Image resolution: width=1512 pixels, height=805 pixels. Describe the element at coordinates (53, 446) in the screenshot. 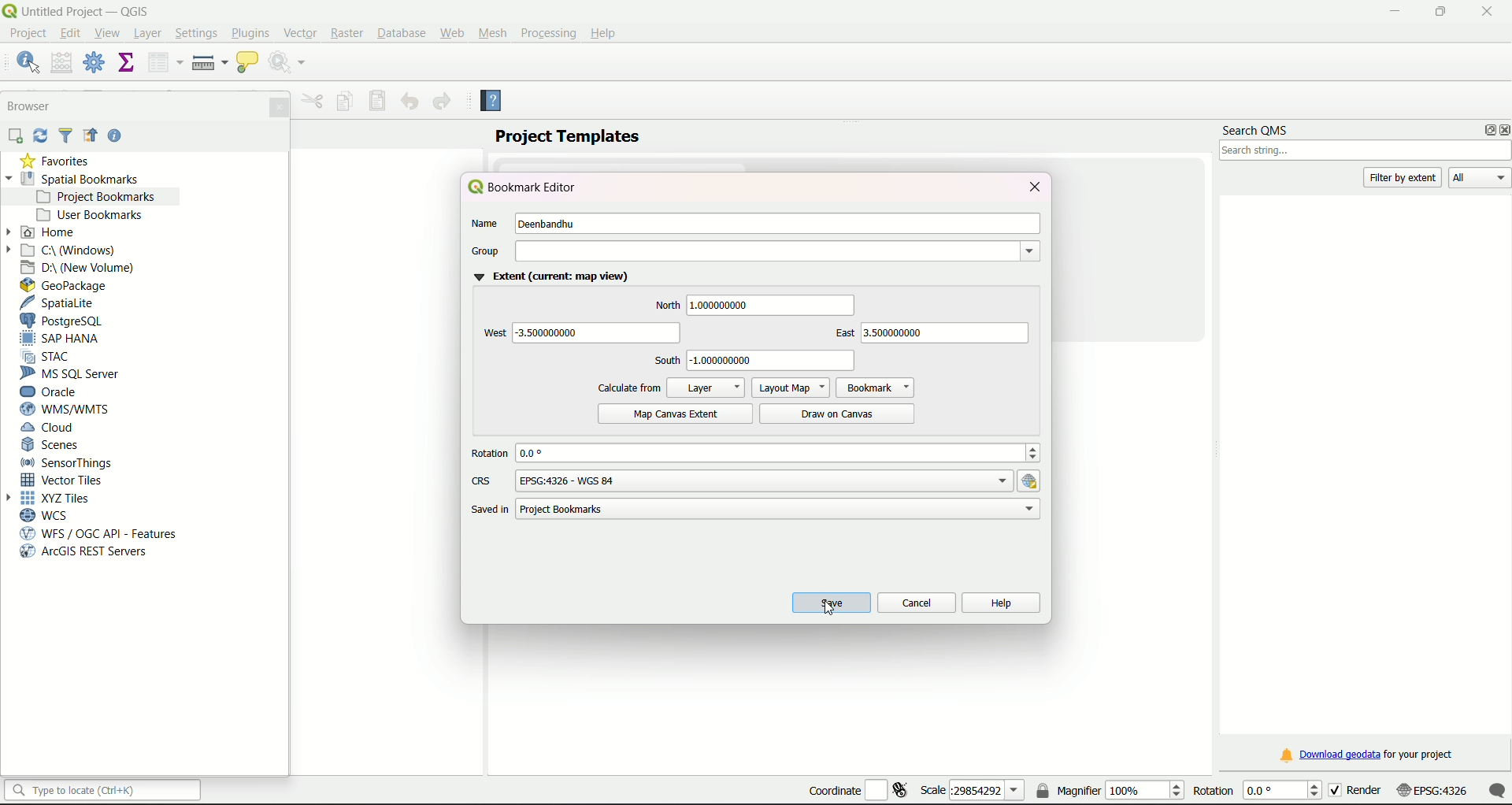

I see `Scenes` at that location.